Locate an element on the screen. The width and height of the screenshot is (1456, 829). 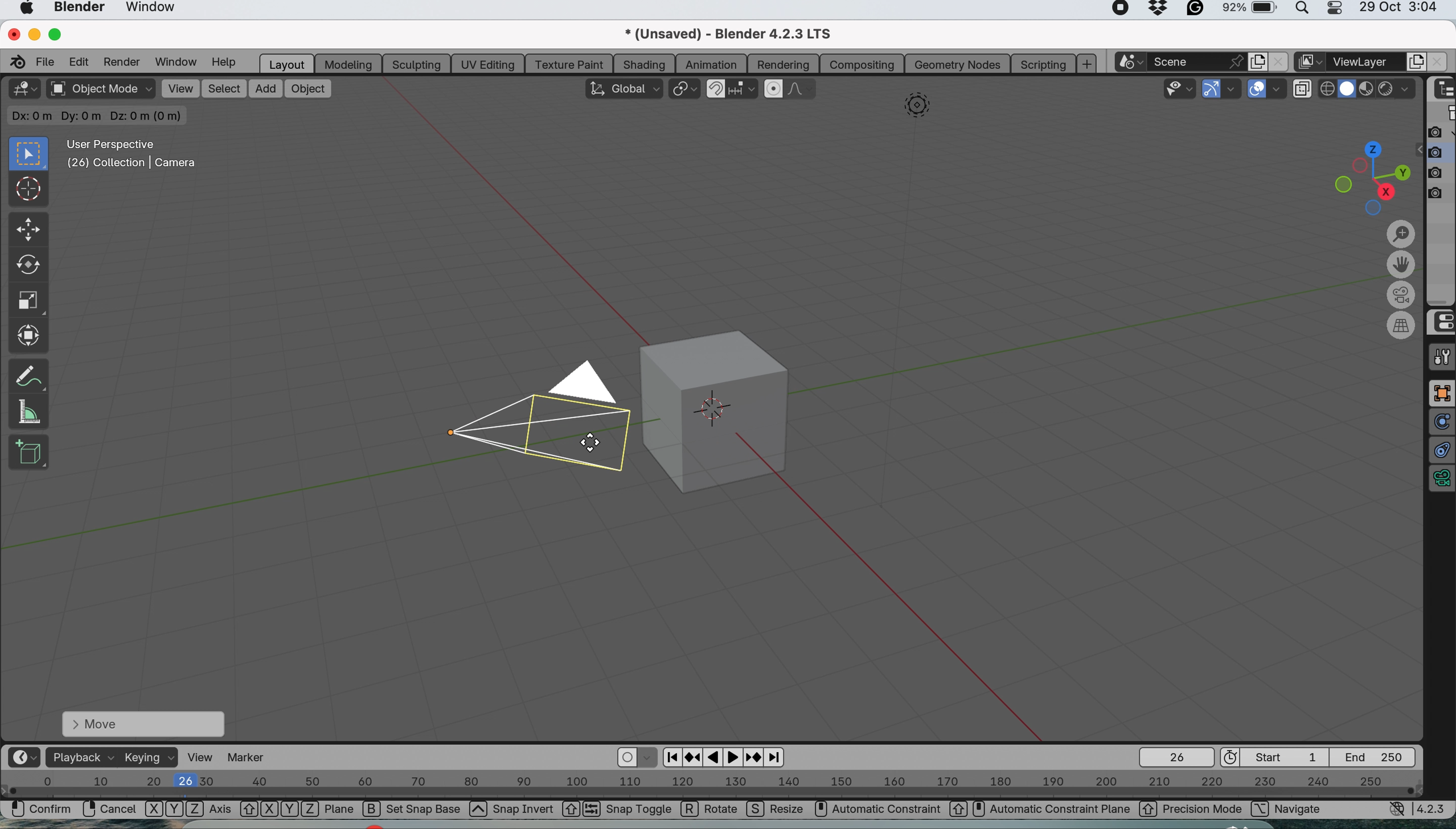
shading is located at coordinates (644, 63).